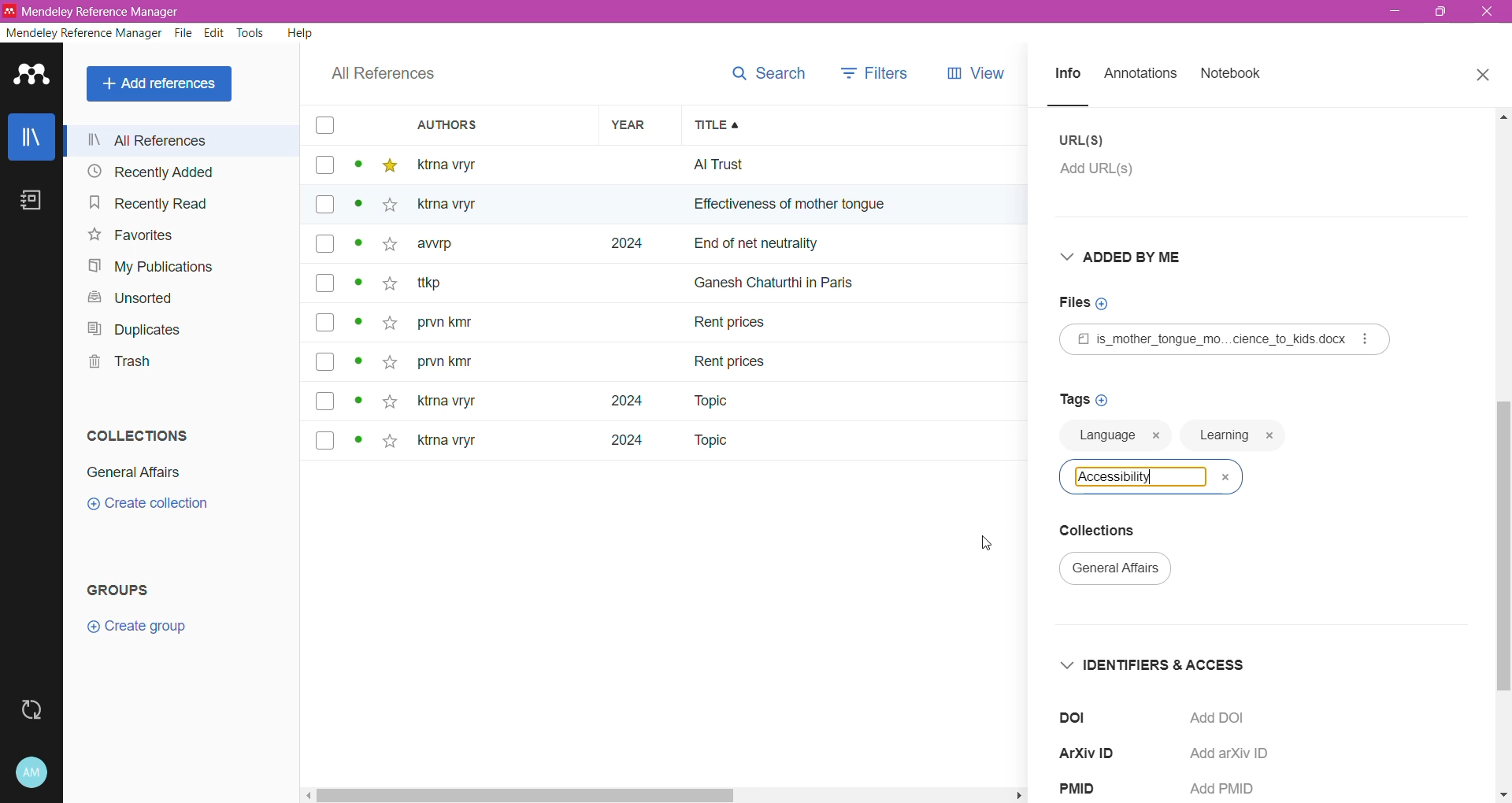 The image size is (1512, 803). What do you see at coordinates (623, 244) in the screenshot?
I see `2024` at bounding box center [623, 244].